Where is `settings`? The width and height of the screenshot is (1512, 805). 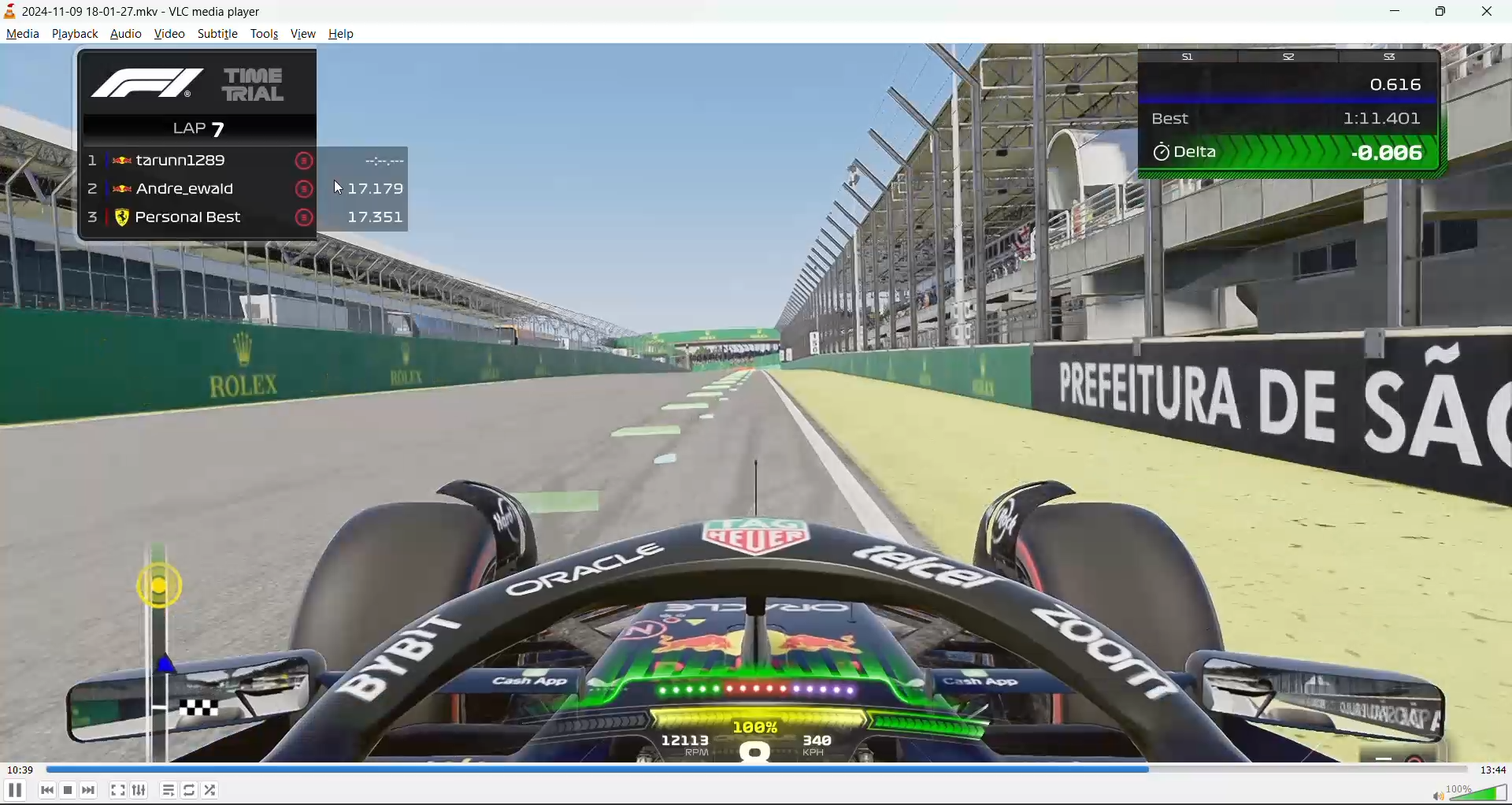
settings is located at coordinates (140, 791).